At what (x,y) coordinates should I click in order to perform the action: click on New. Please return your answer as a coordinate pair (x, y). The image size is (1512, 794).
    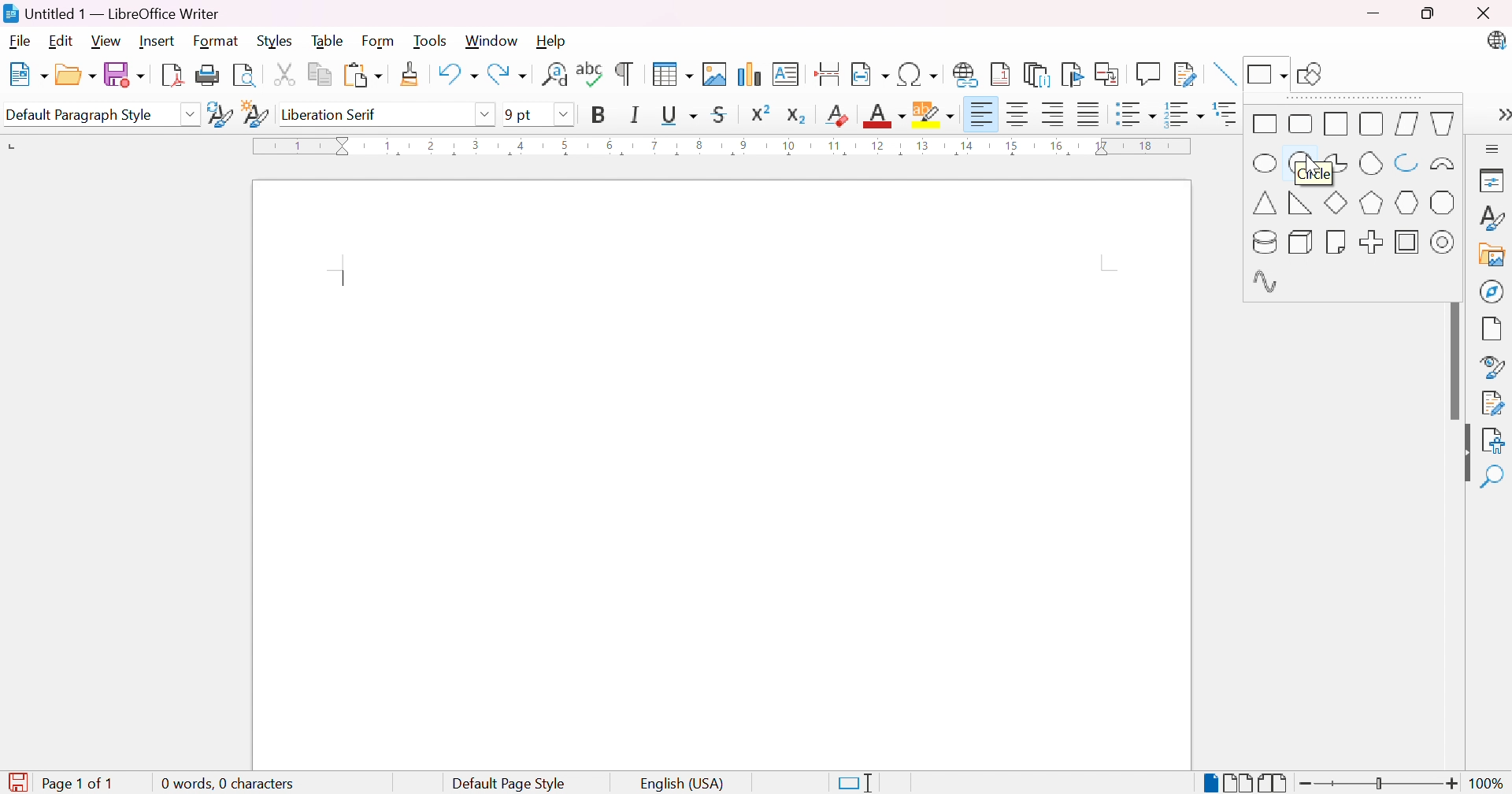
    Looking at the image, I should click on (28, 75).